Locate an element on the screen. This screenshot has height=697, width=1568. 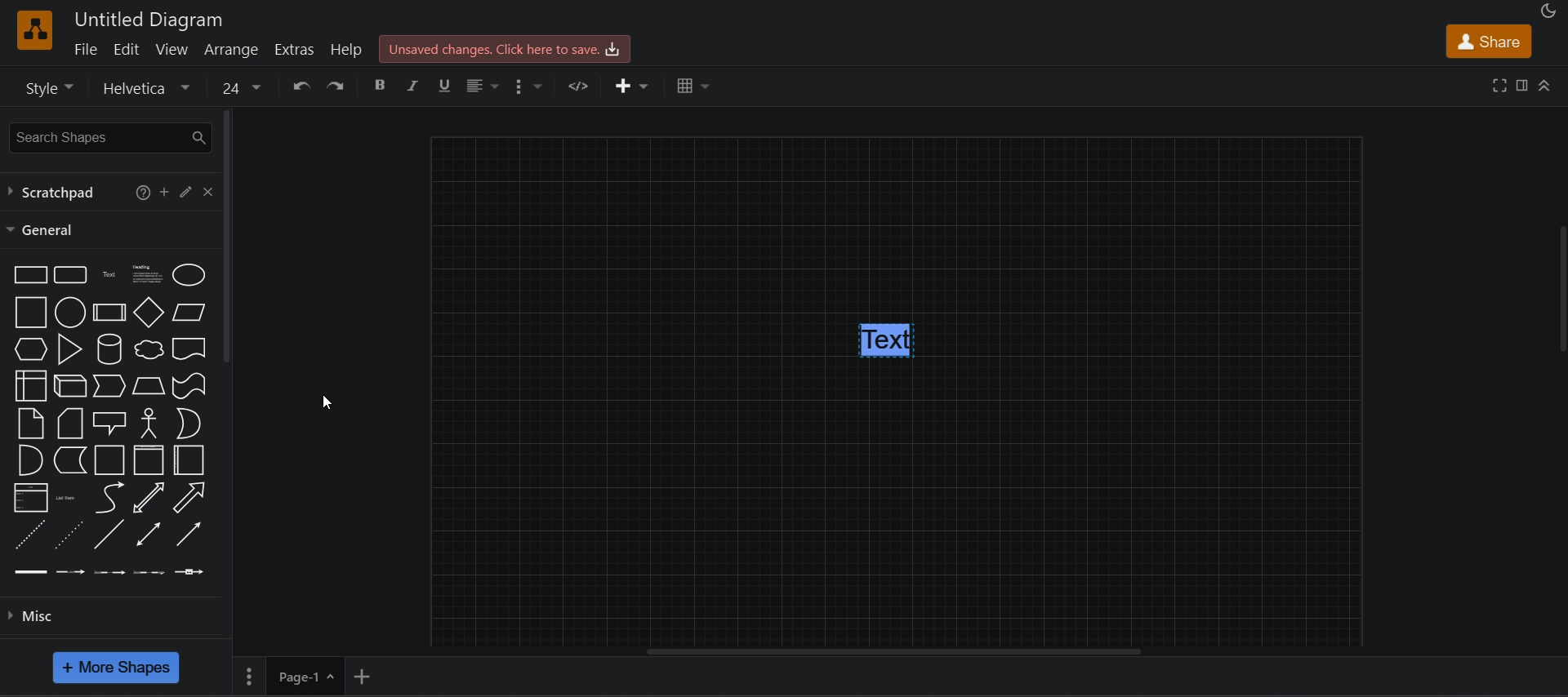
scratchpad is located at coordinates (54, 192).